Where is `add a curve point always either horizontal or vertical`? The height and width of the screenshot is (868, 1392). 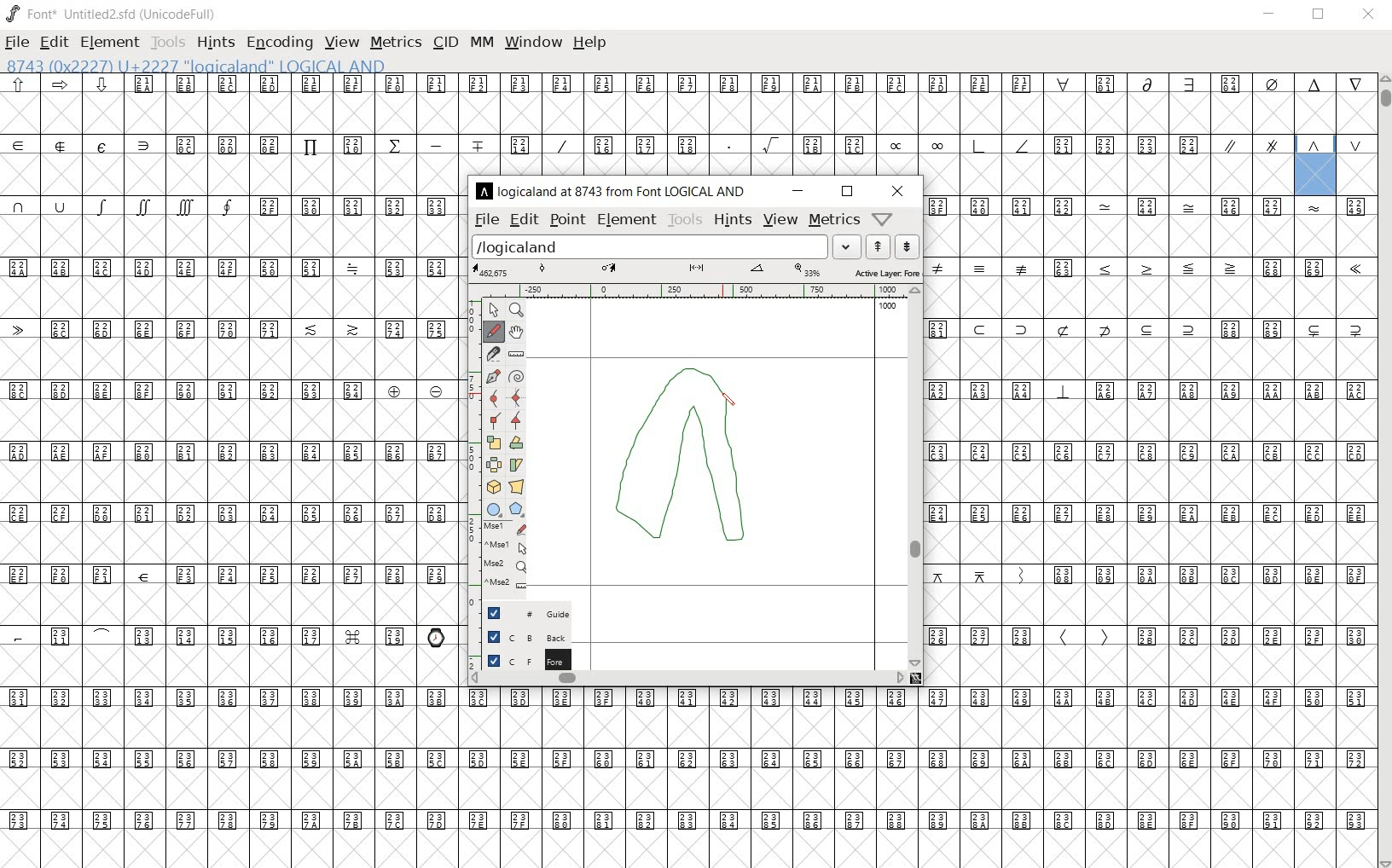
add a curve point always either horizontal or vertical is located at coordinates (517, 396).